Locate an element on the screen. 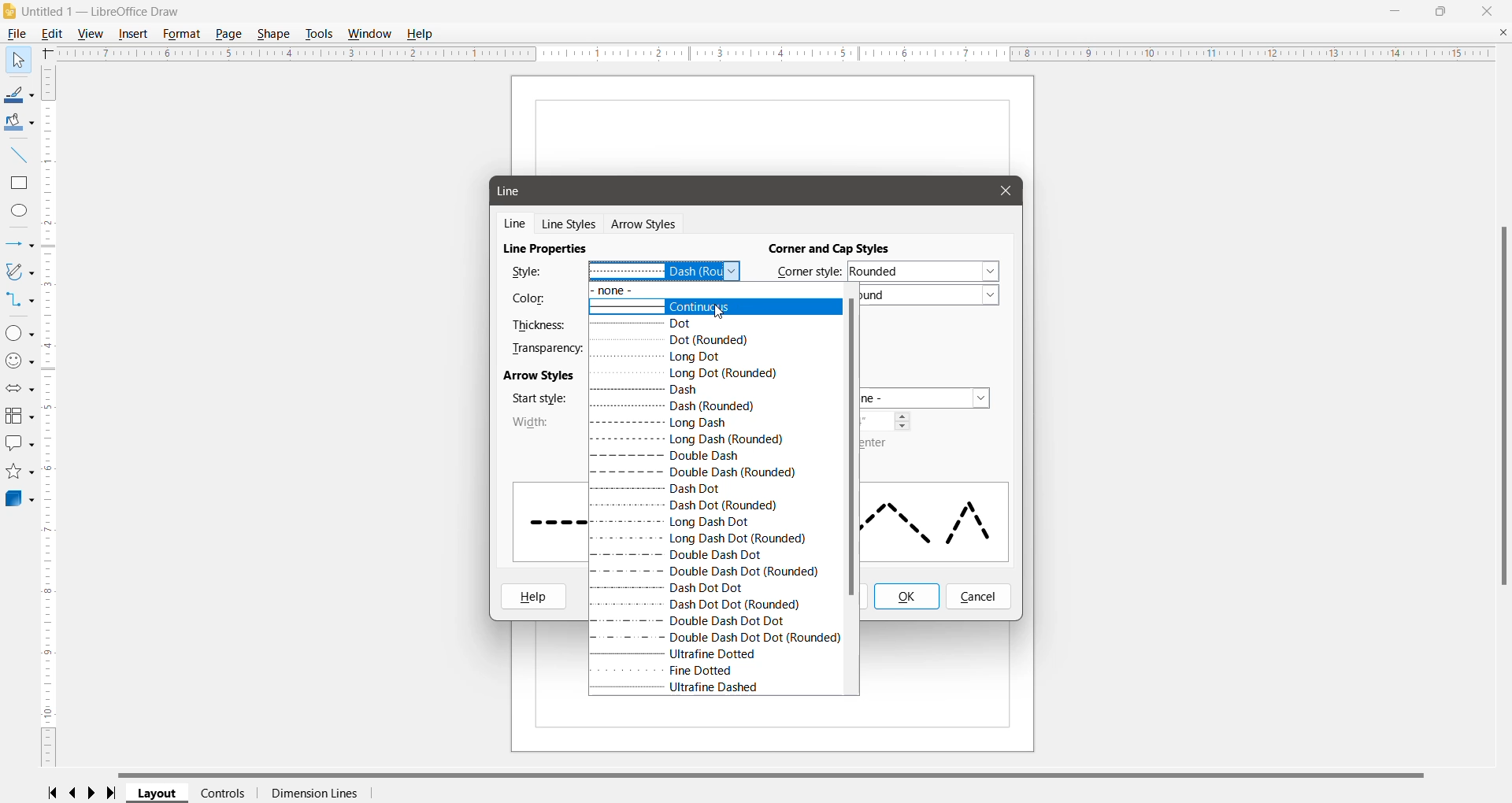 The width and height of the screenshot is (1512, 803). Insert Line is located at coordinates (20, 155).